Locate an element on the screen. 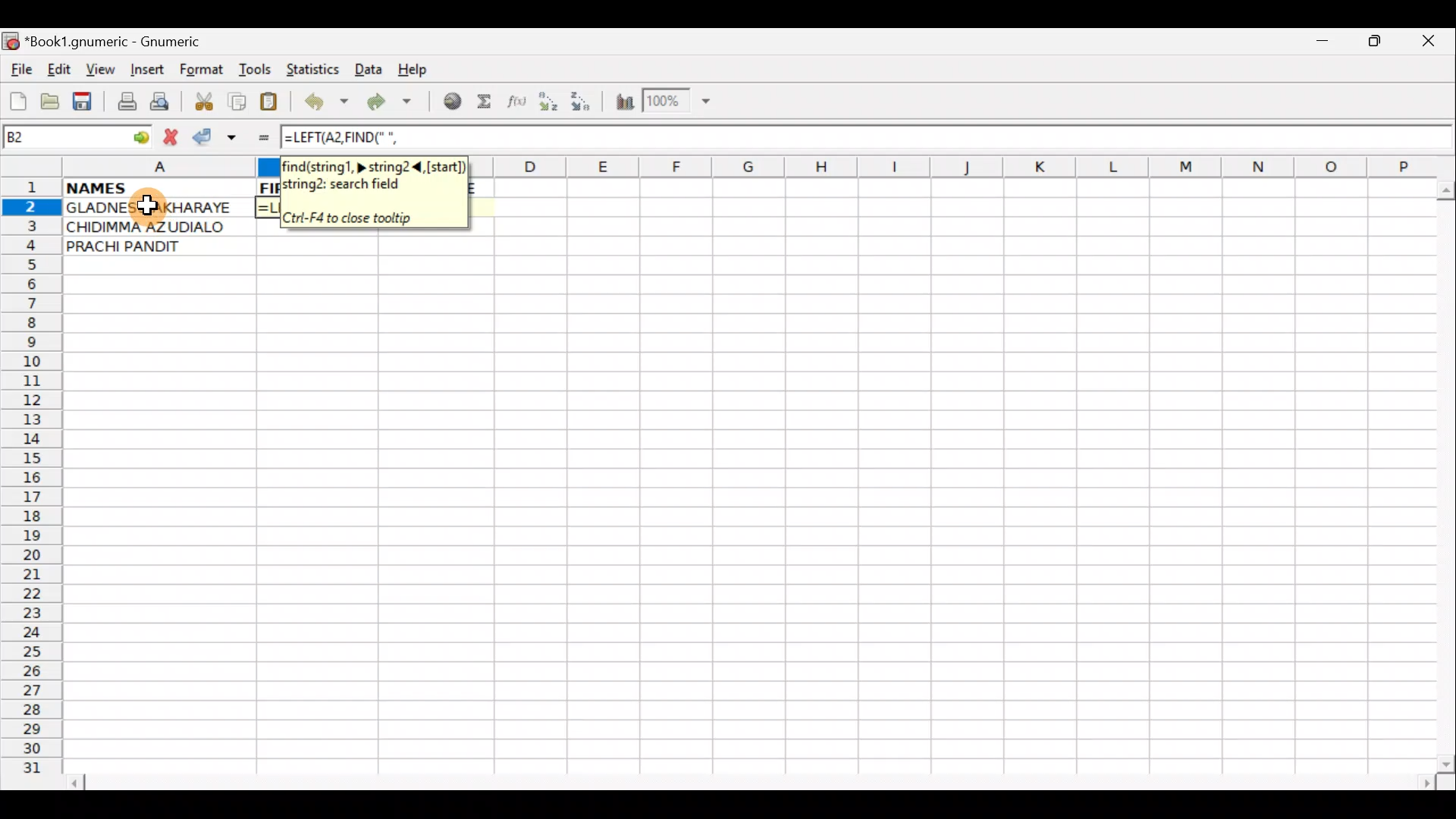 The width and height of the screenshot is (1456, 819). Cancel change is located at coordinates (174, 134).